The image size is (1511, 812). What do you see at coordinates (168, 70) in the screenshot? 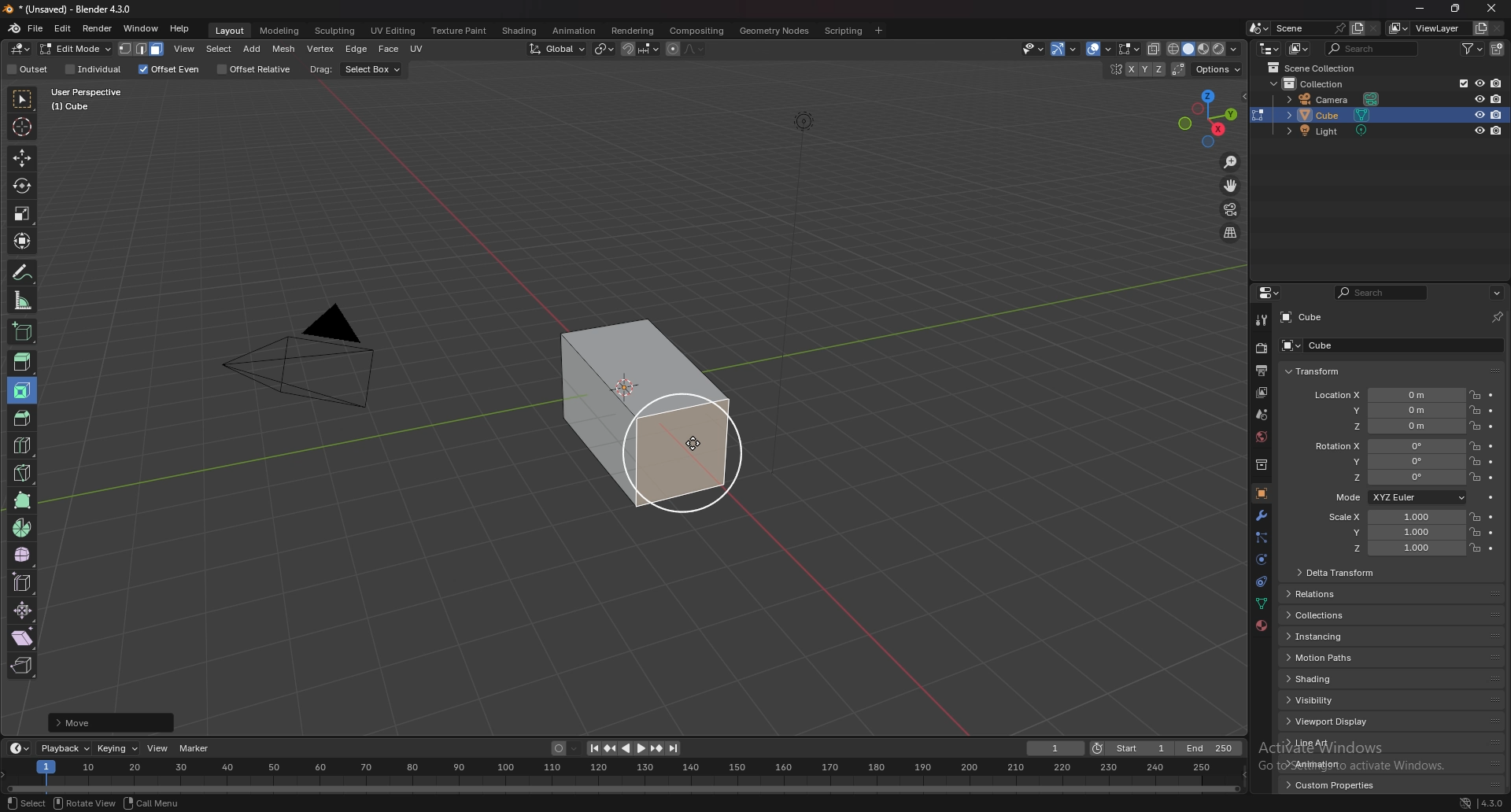
I see `offset even` at bounding box center [168, 70].